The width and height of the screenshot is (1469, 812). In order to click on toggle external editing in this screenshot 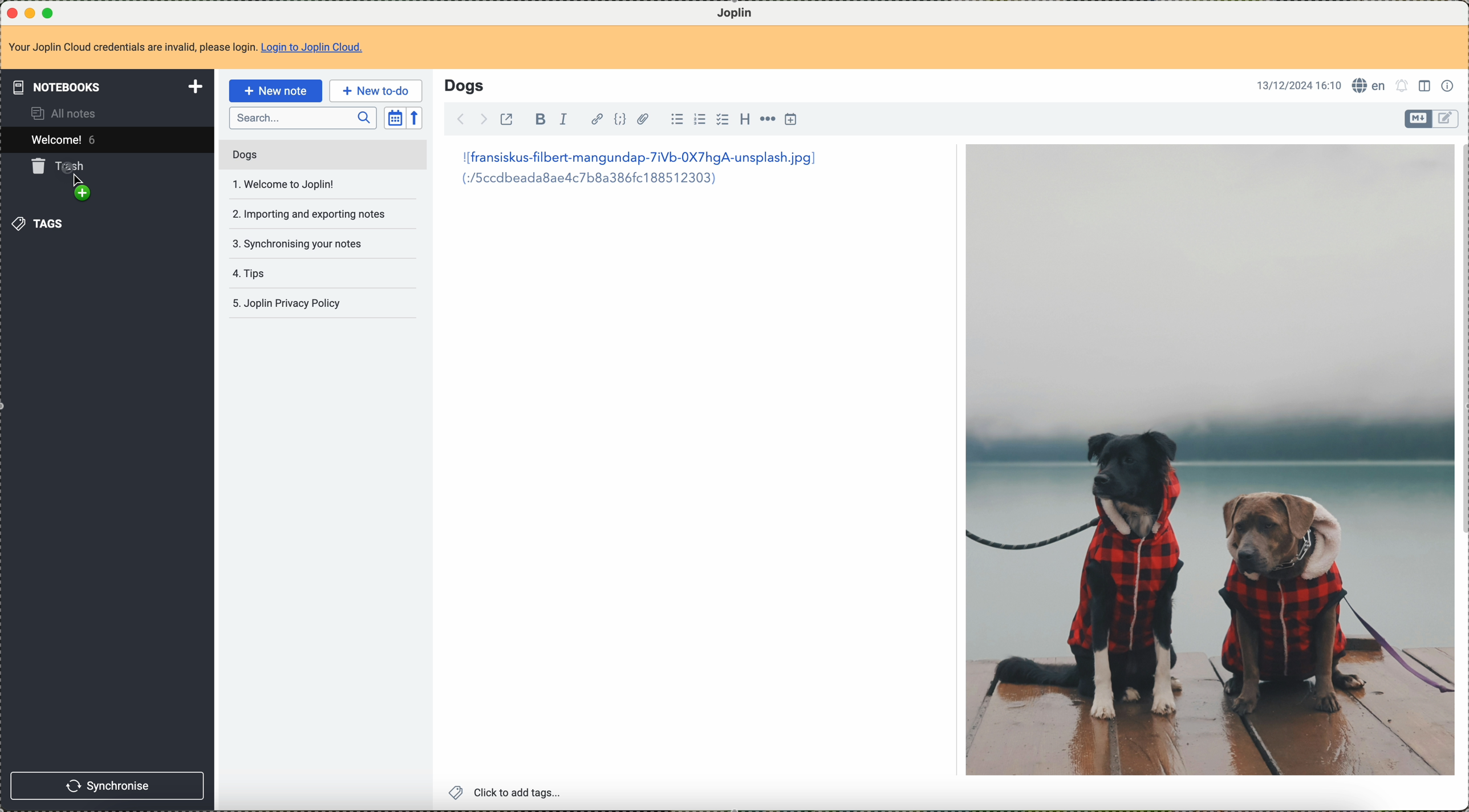, I will do `click(506, 120)`.